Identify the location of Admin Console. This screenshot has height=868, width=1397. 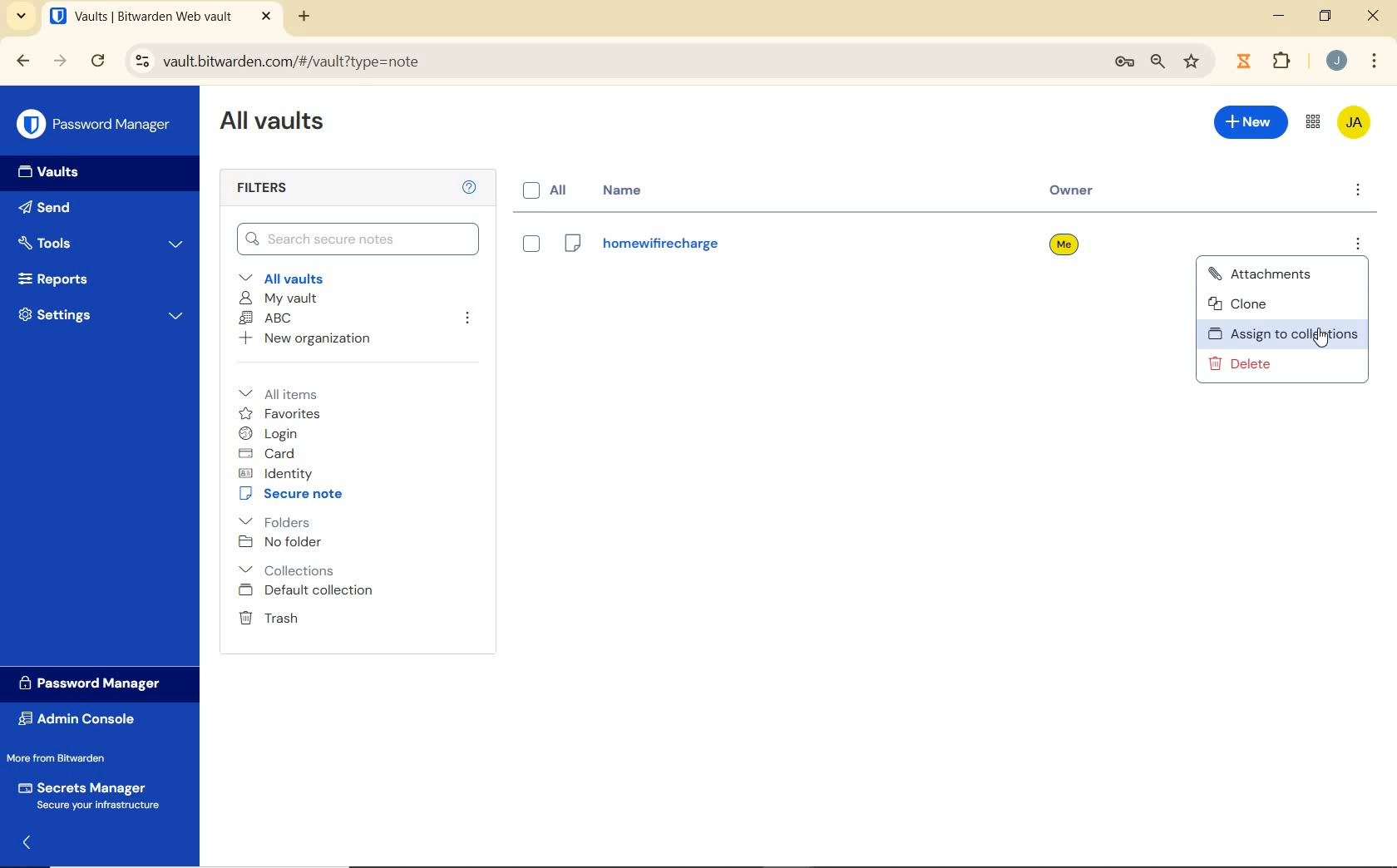
(86, 718).